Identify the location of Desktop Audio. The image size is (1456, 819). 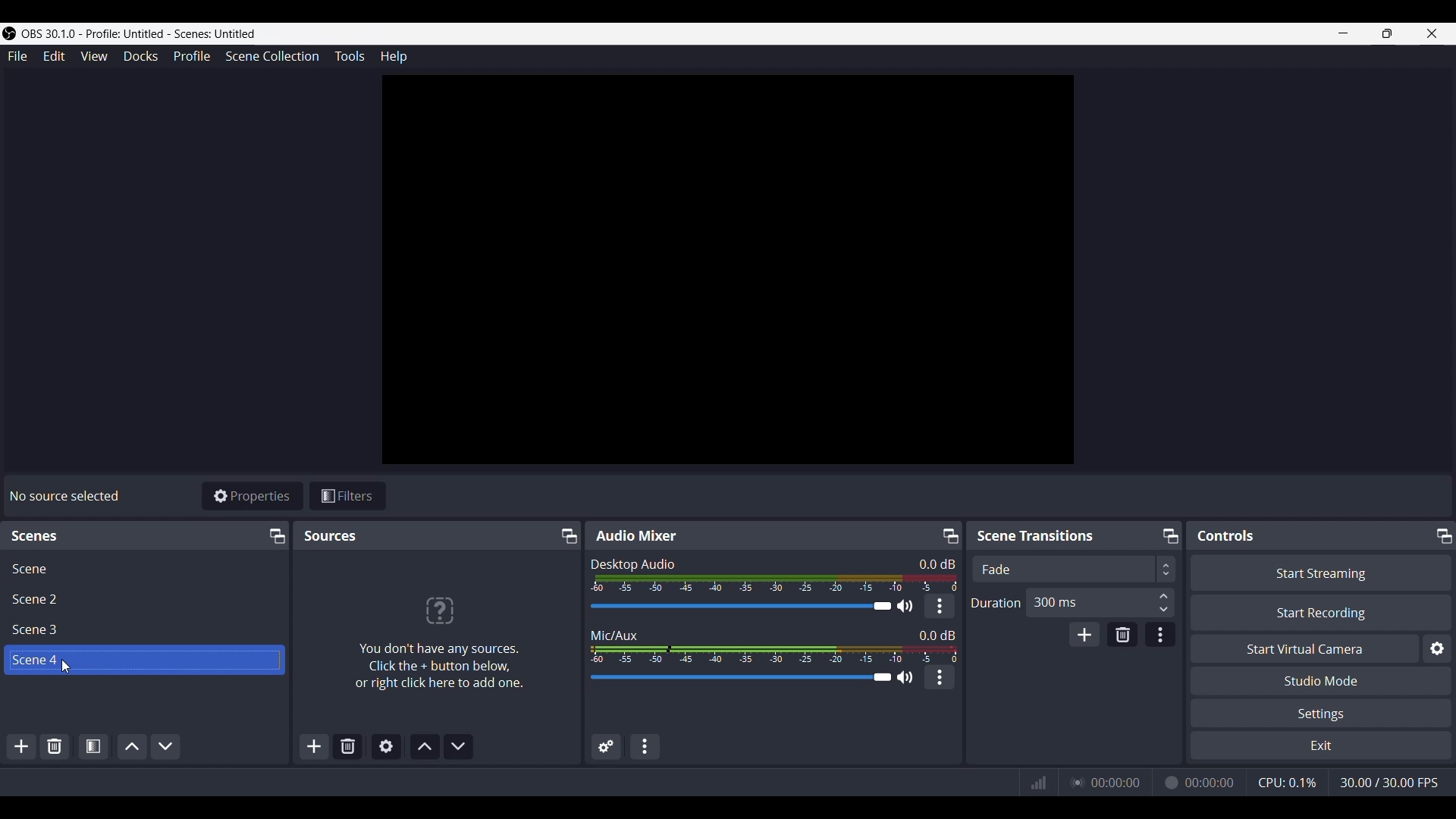
(633, 564).